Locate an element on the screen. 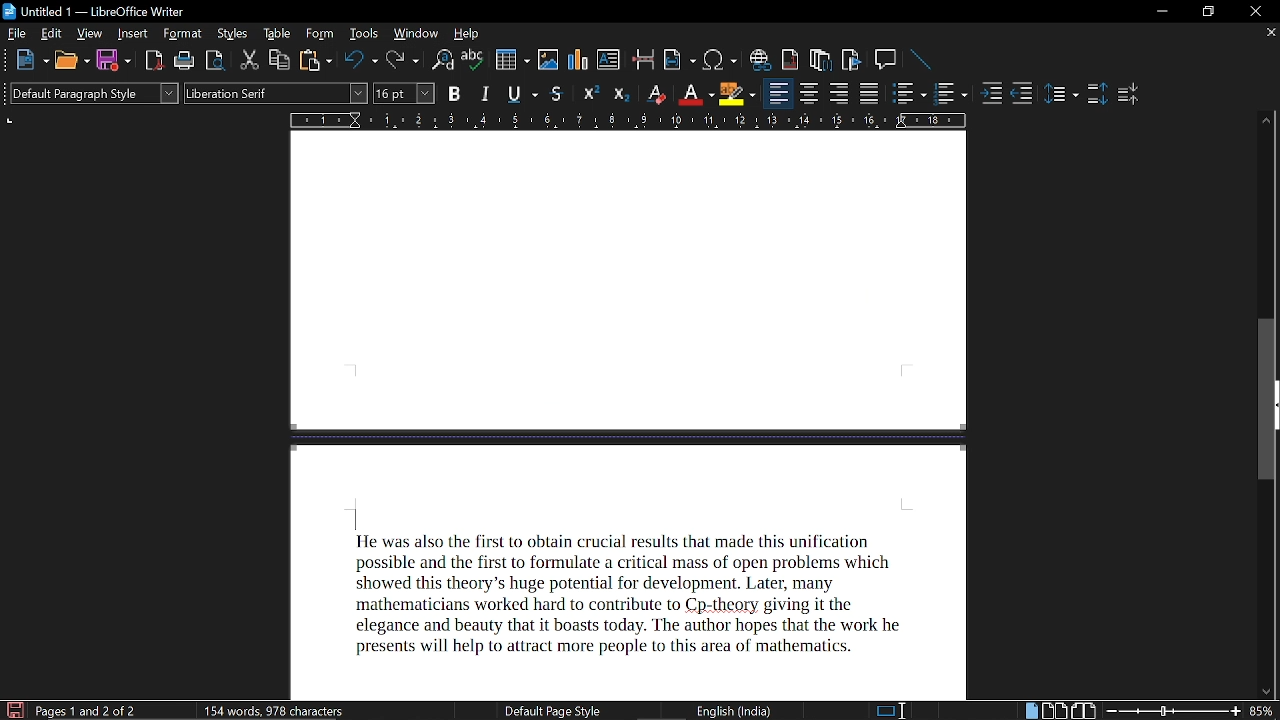 The height and width of the screenshot is (720, 1280). Set up line spacing is located at coordinates (1062, 95).